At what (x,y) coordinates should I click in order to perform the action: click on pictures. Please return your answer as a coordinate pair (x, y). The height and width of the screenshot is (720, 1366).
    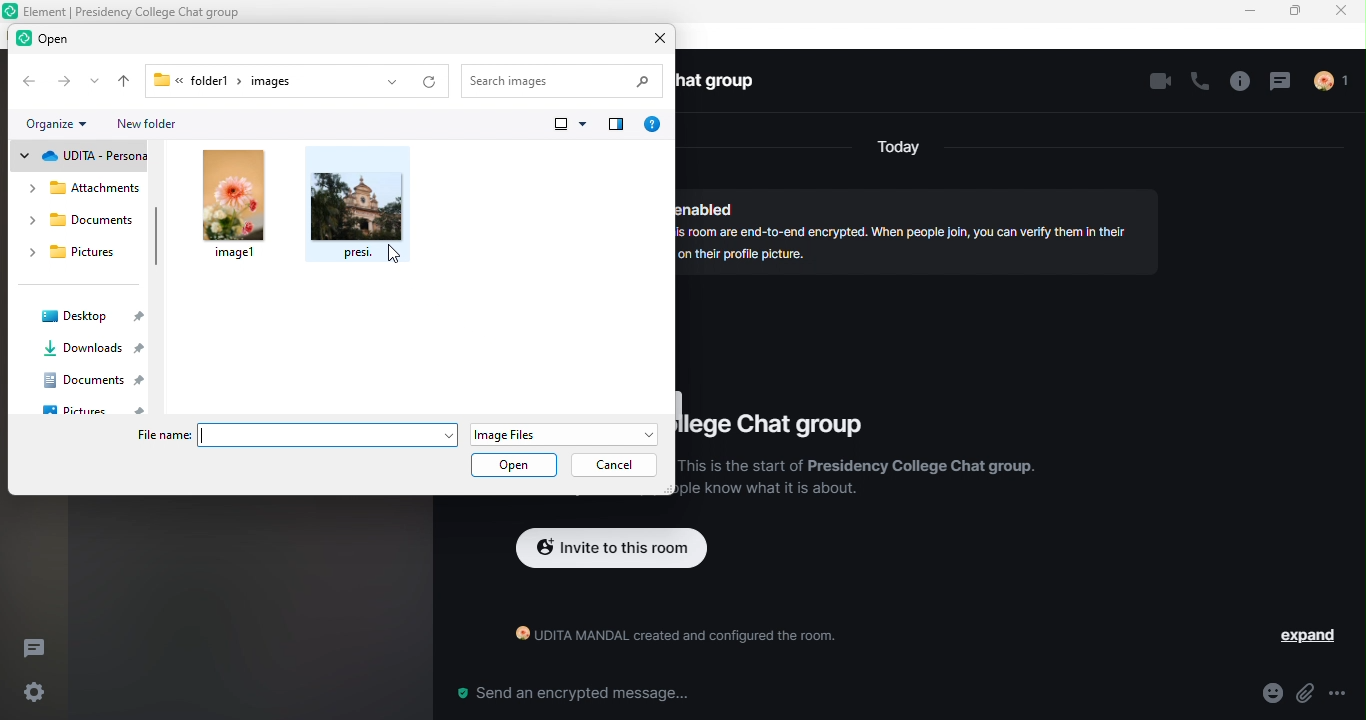
    Looking at the image, I should click on (98, 409).